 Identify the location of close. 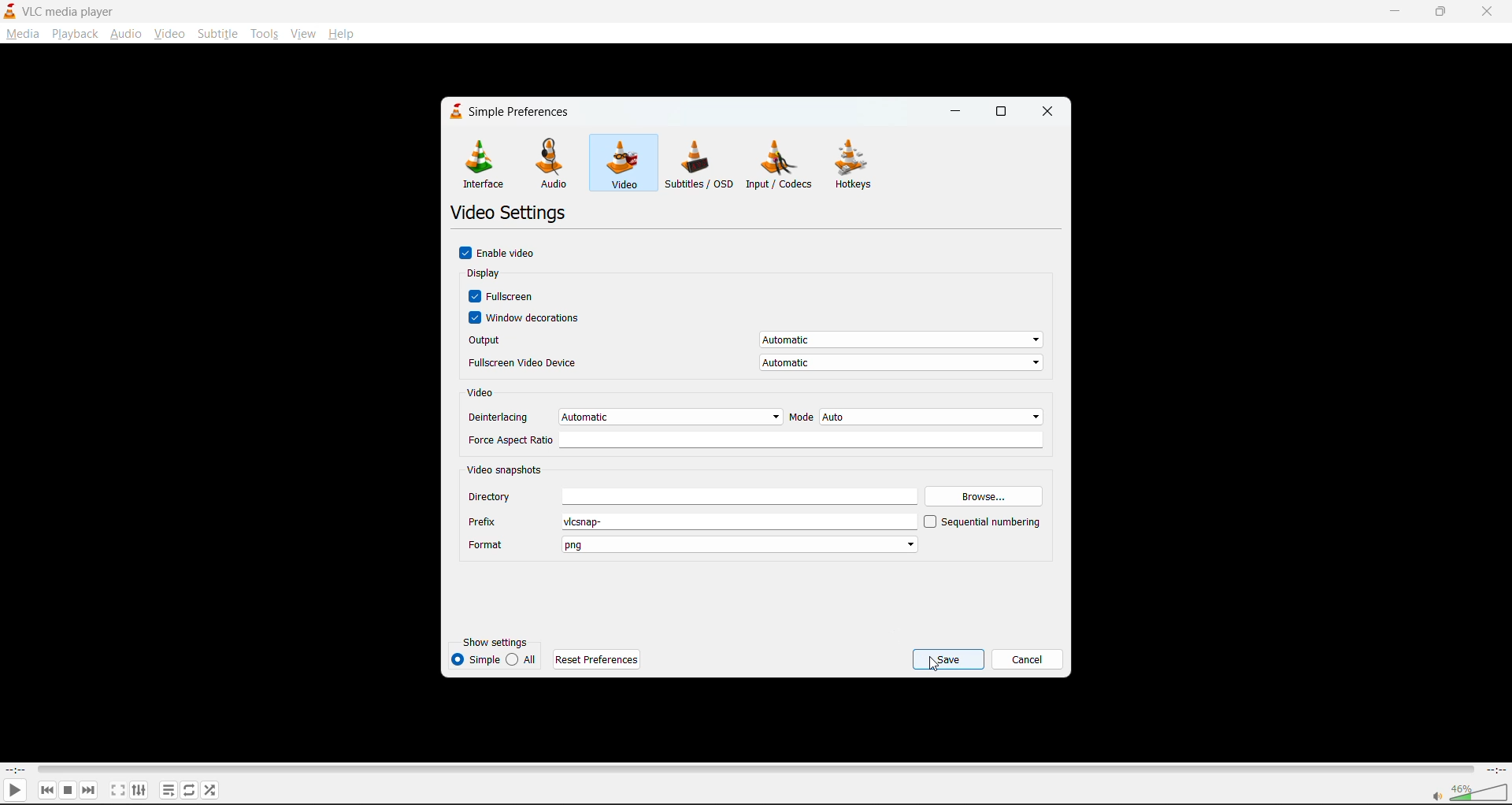
(1492, 11).